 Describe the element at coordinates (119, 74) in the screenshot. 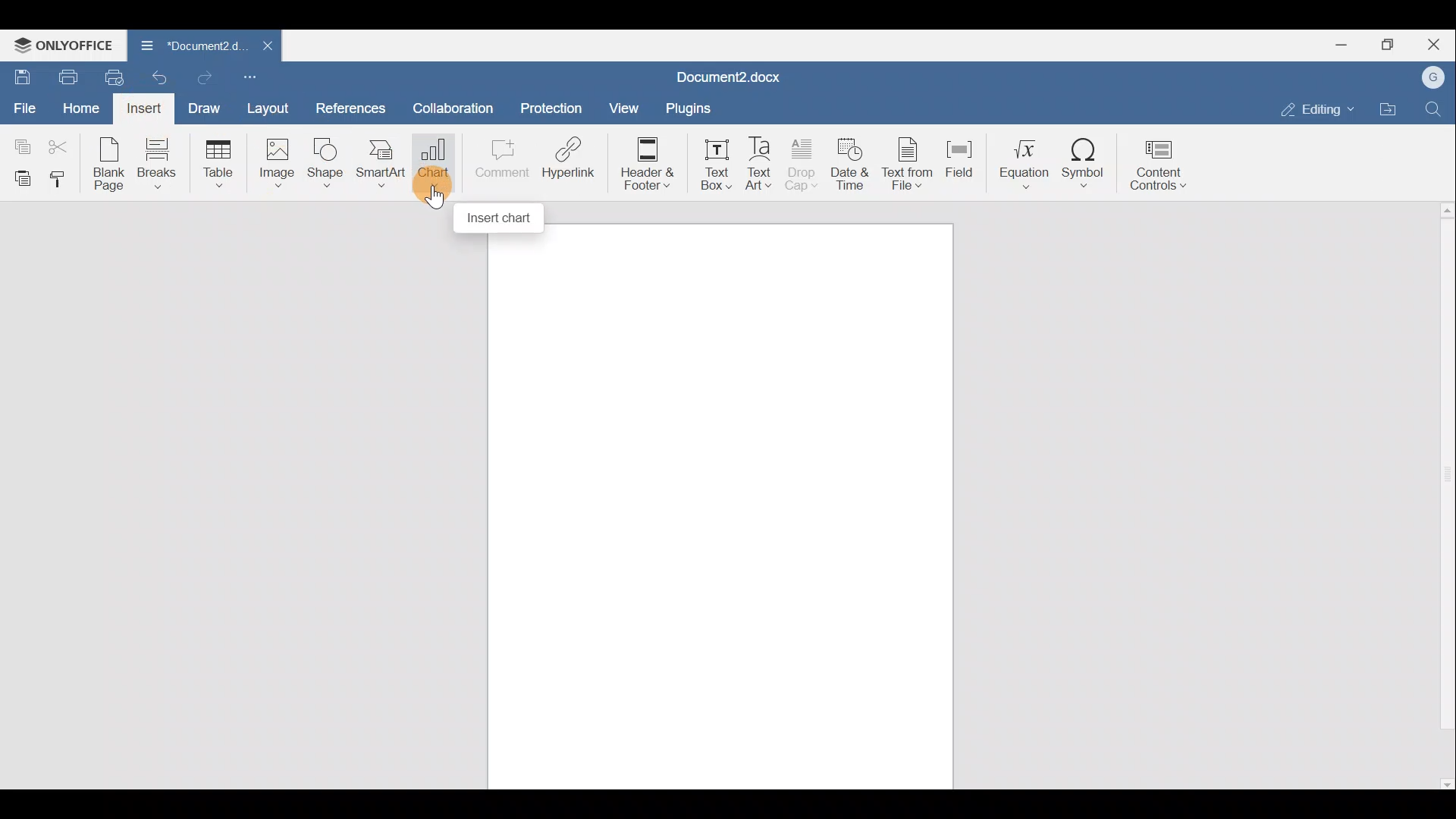

I see `Quick print` at that location.